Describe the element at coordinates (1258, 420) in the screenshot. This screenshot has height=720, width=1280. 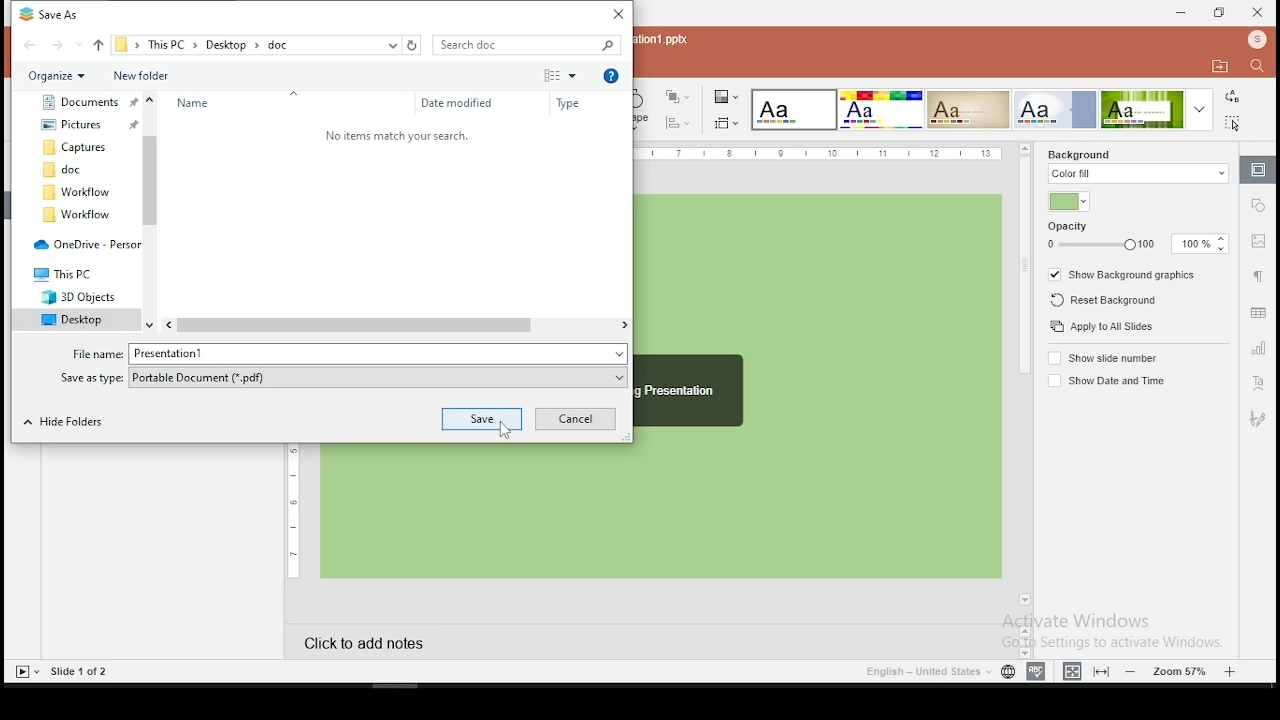
I see `Signature settings` at that location.